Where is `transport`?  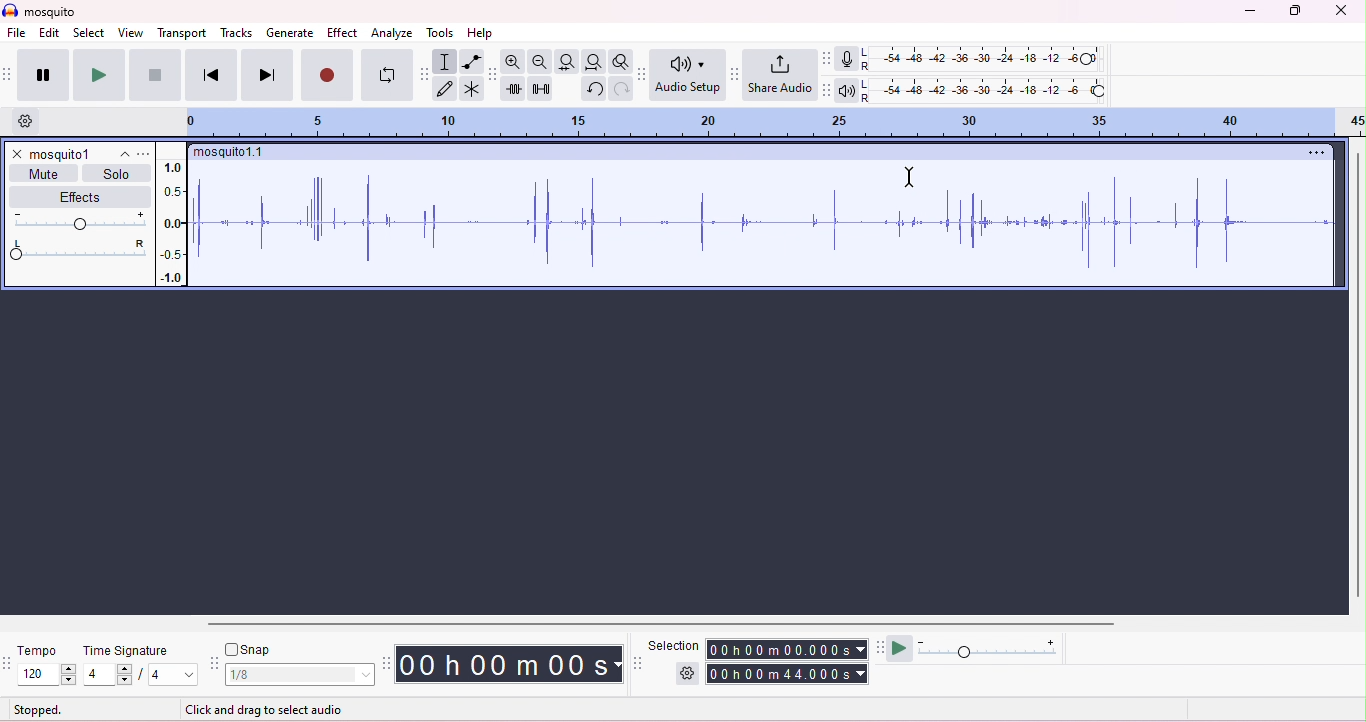
transport is located at coordinates (184, 33).